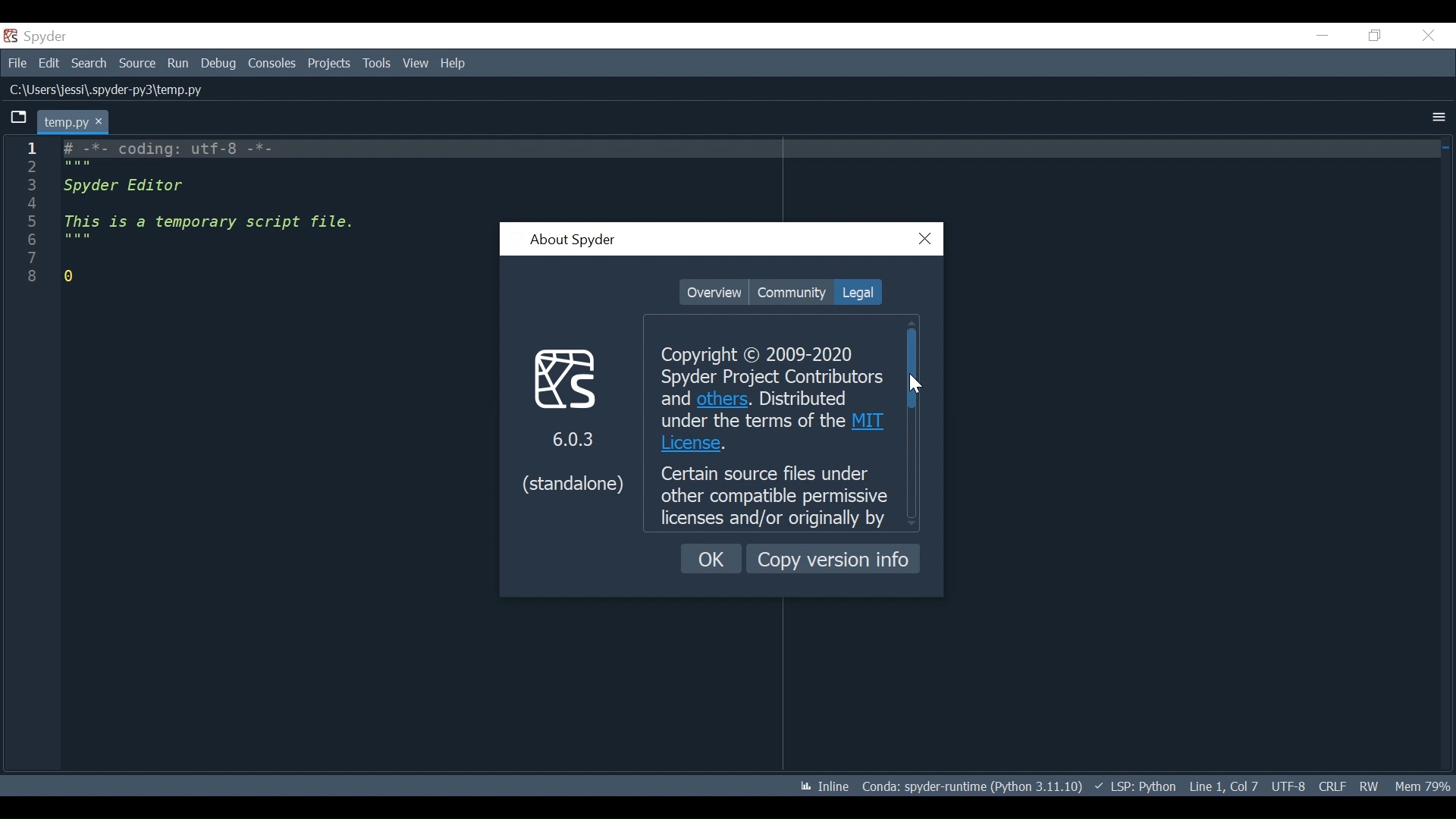 The image size is (1456, 819). Describe the element at coordinates (1223, 784) in the screenshot. I see `Line 1, Col 7` at that location.